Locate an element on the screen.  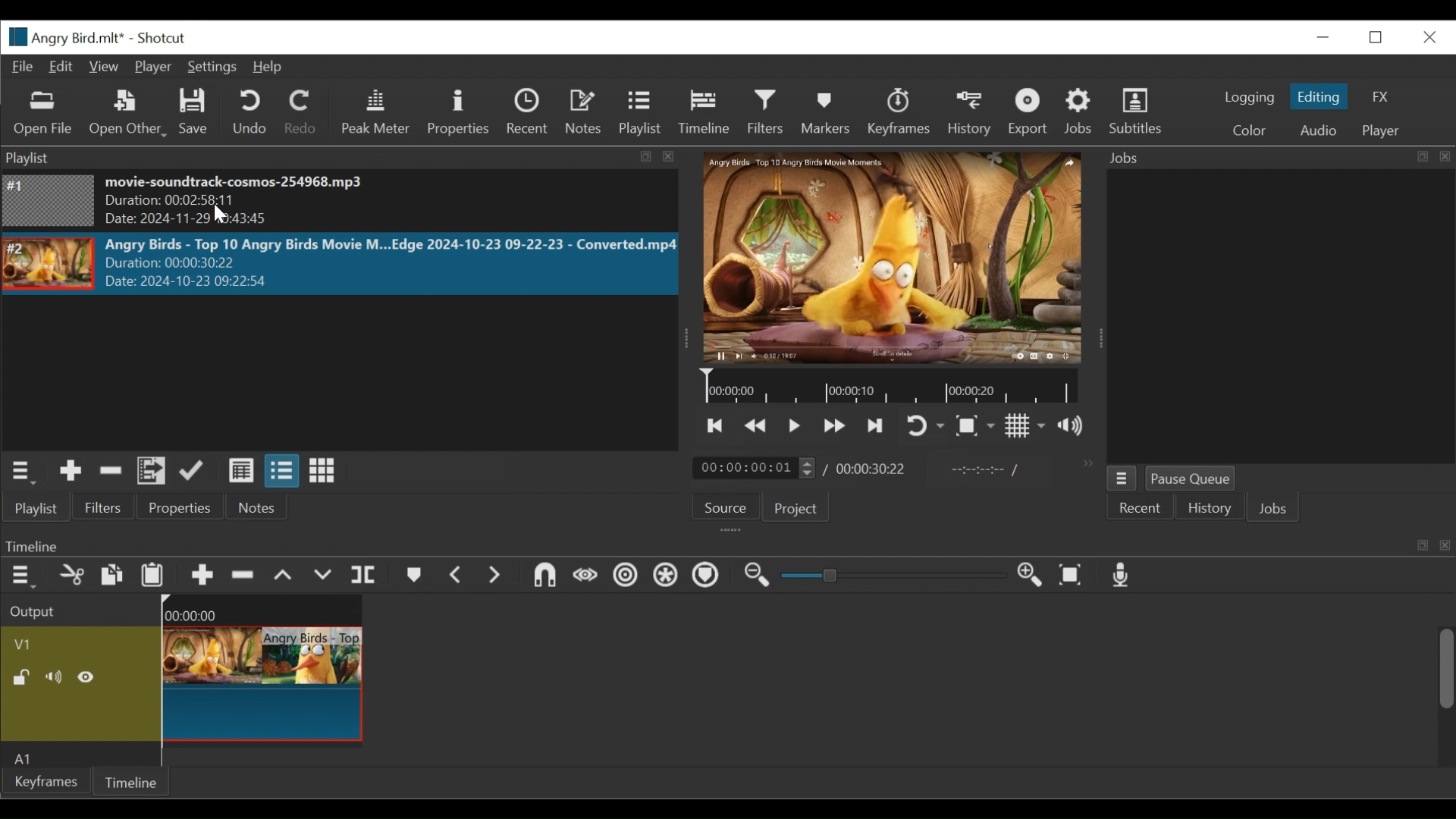
Notes is located at coordinates (256, 508).